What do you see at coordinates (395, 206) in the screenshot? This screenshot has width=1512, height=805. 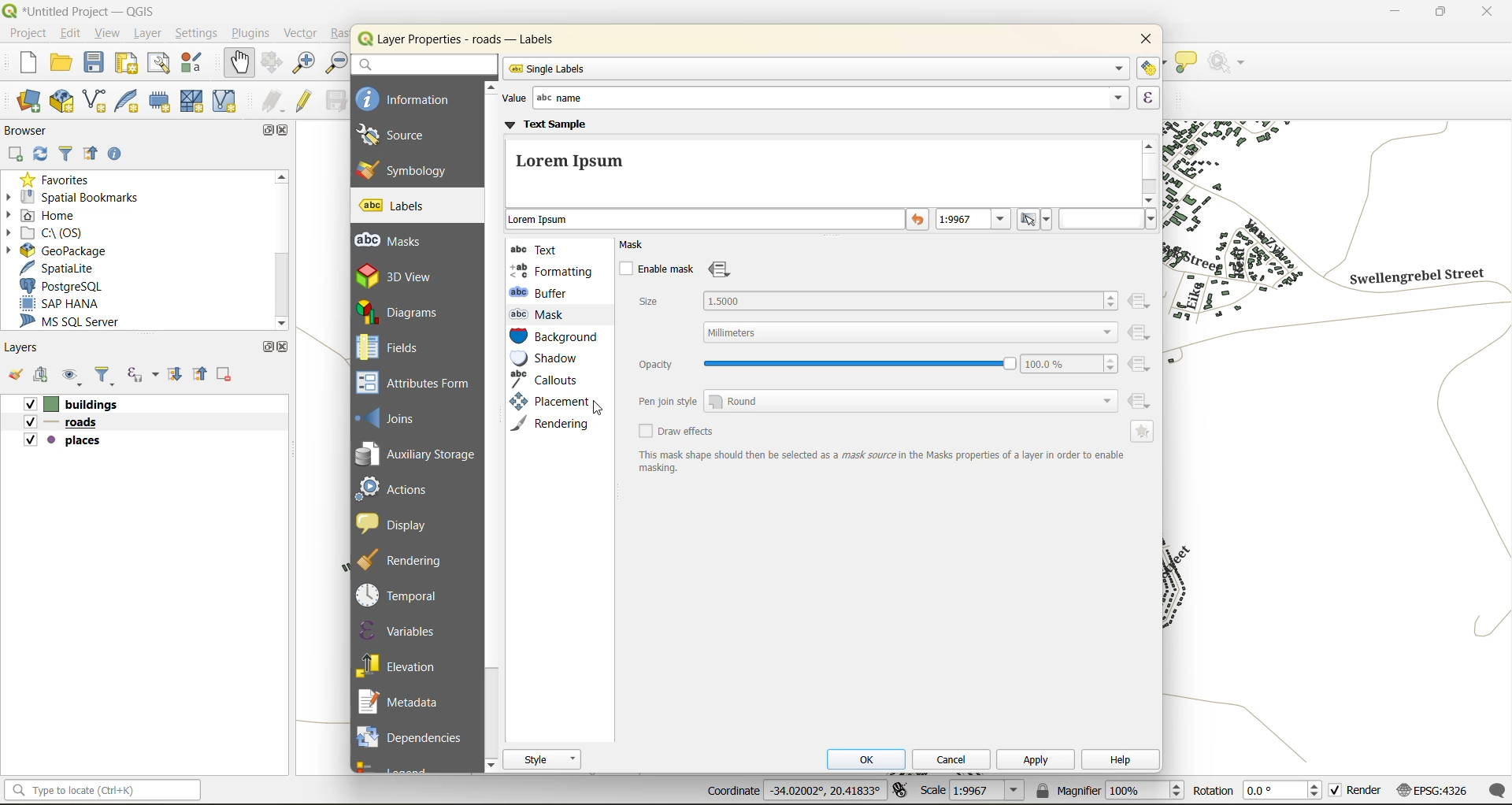 I see `labels` at bounding box center [395, 206].